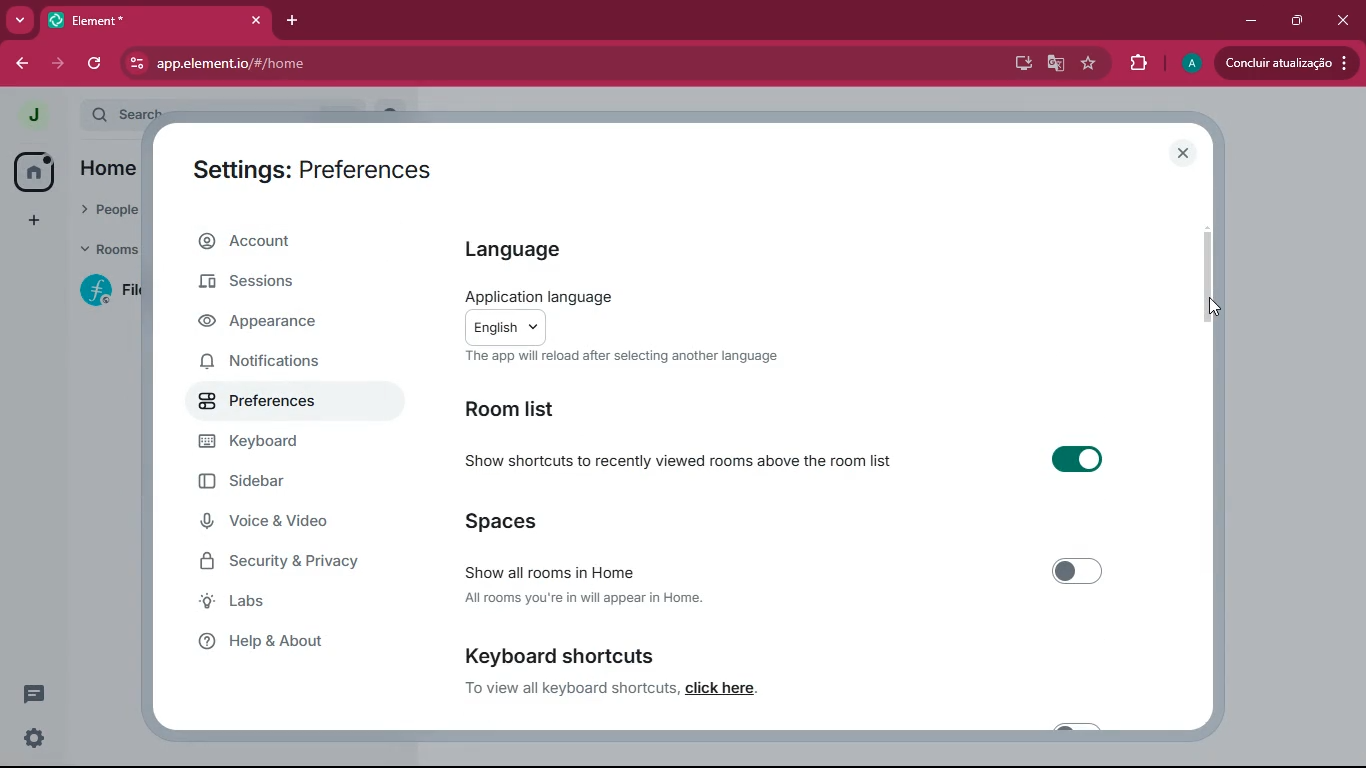 The height and width of the screenshot is (768, 1366). I want to click on favourite, so click(1093, 64).